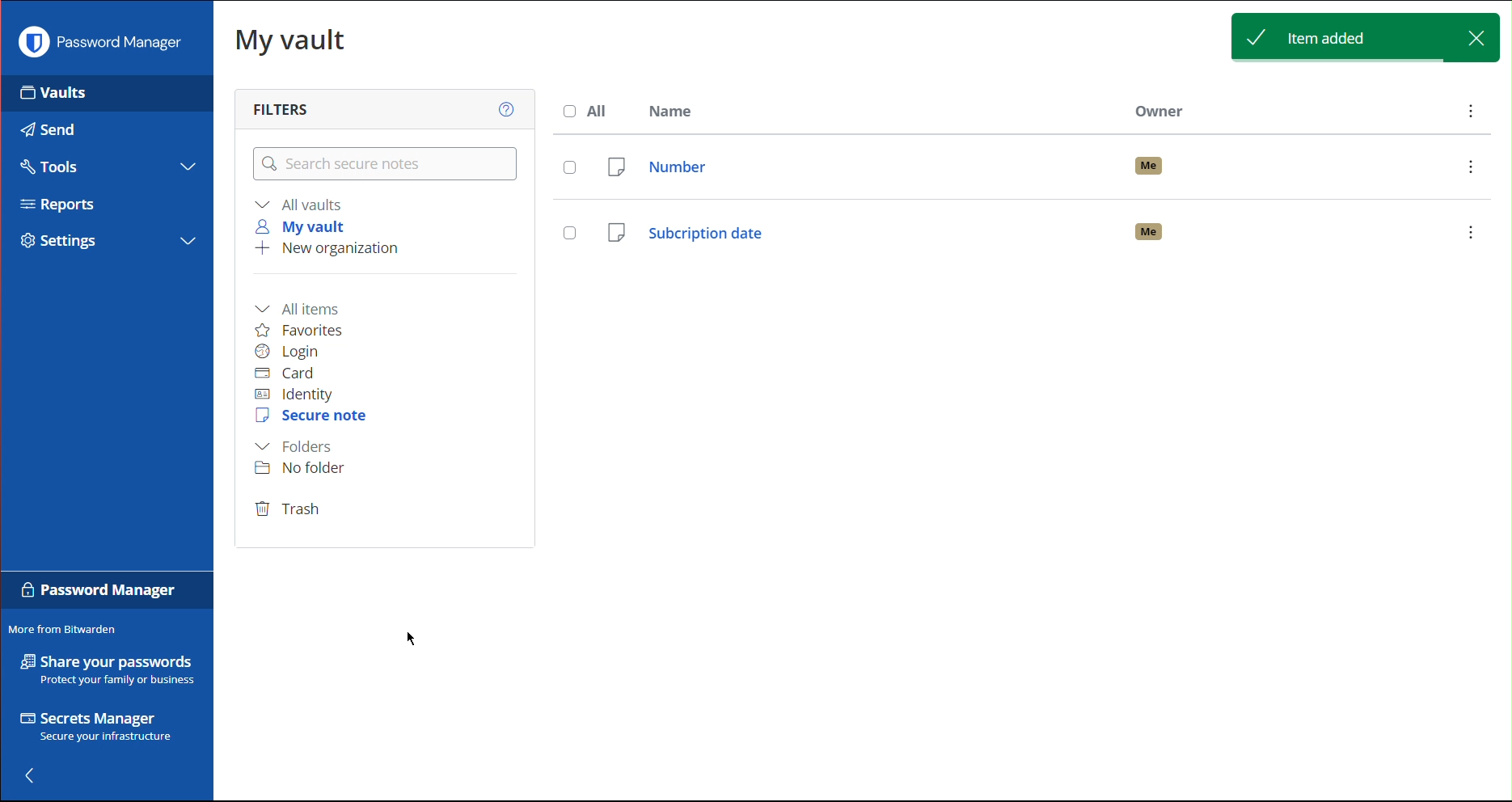 The image size is (1512, 802). Describe the element at coordinates (41, 775) in the screenshot. I see `Back` at that location.